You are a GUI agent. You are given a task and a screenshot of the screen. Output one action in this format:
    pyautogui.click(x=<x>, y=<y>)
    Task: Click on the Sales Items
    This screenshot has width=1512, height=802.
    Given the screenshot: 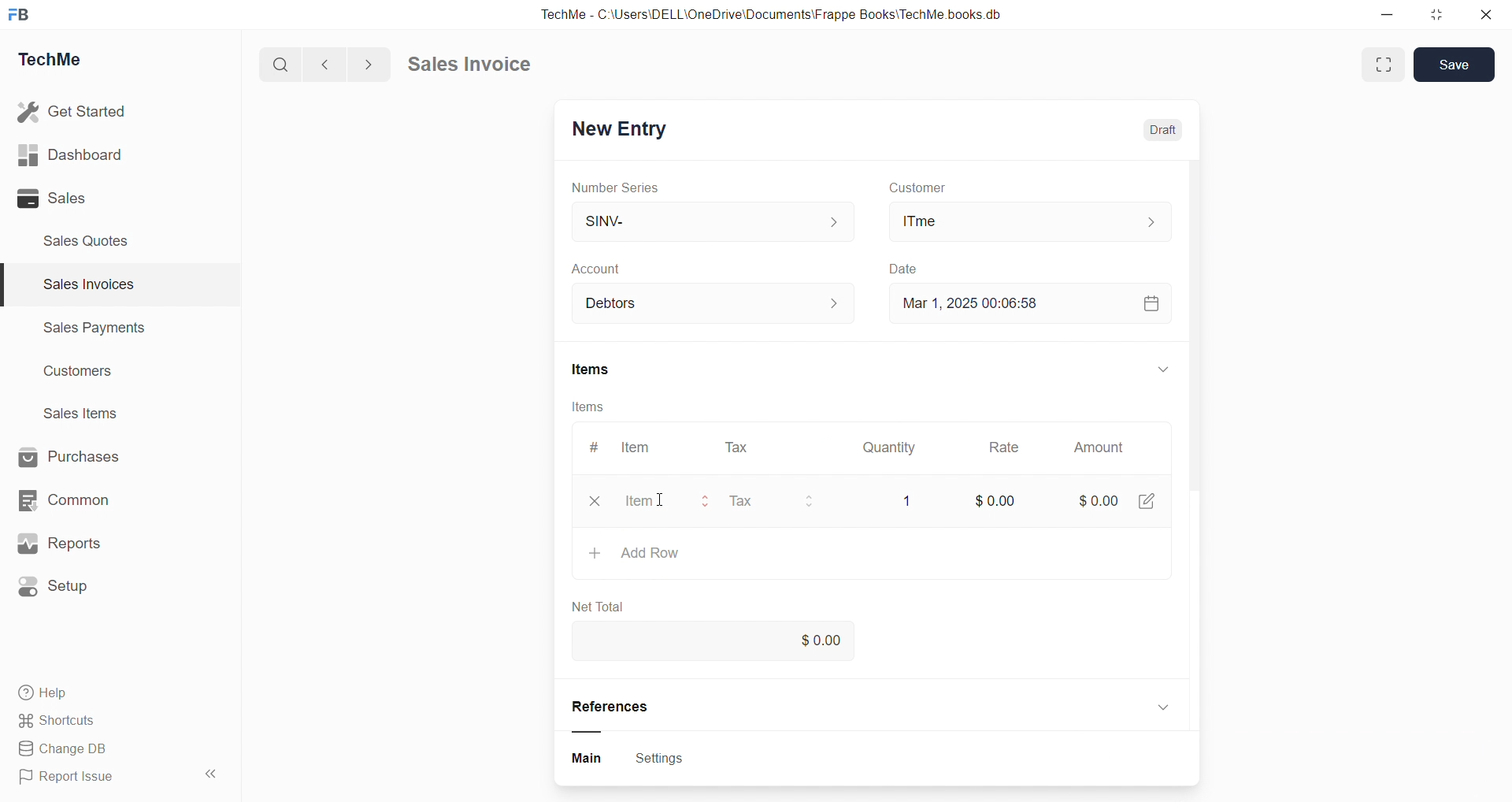 What is the action you would take?
    pyautogui.click(x=87, y=415)
    